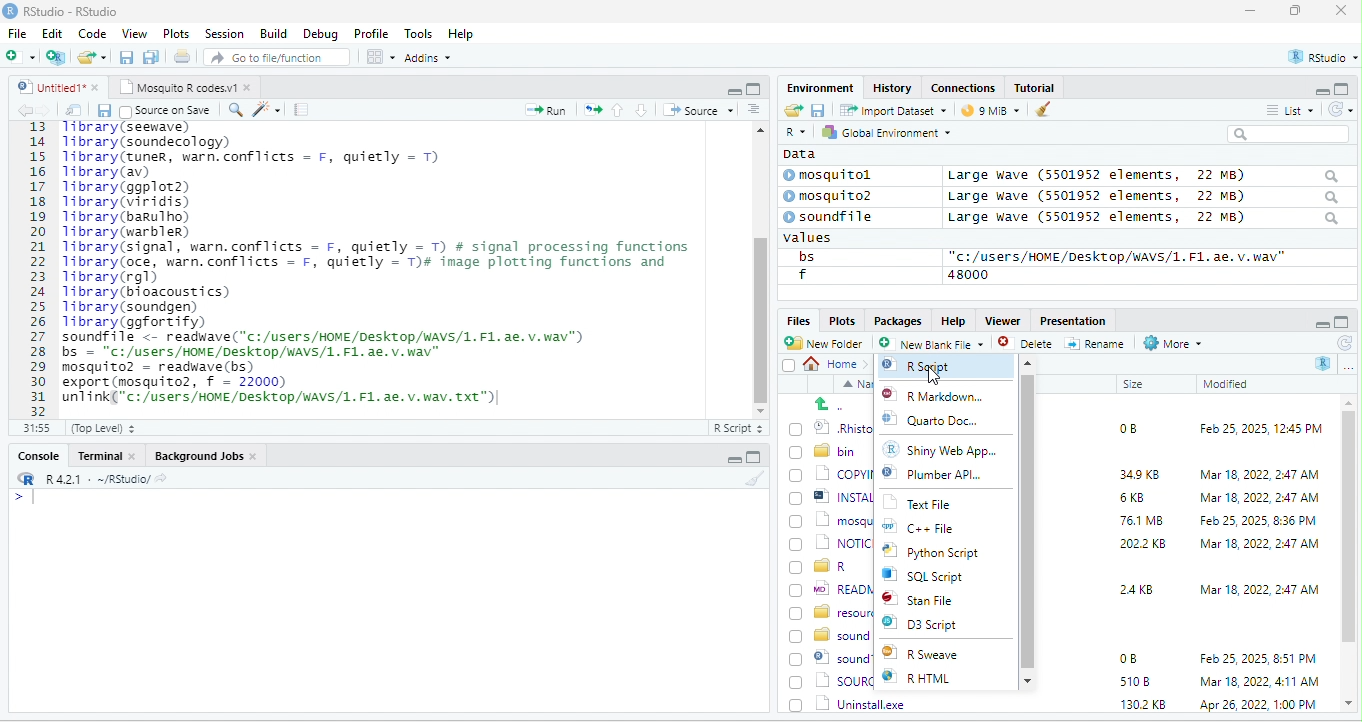  Describe the element at coordinates (802, 275) in the screenshot. I see `f` at that location.